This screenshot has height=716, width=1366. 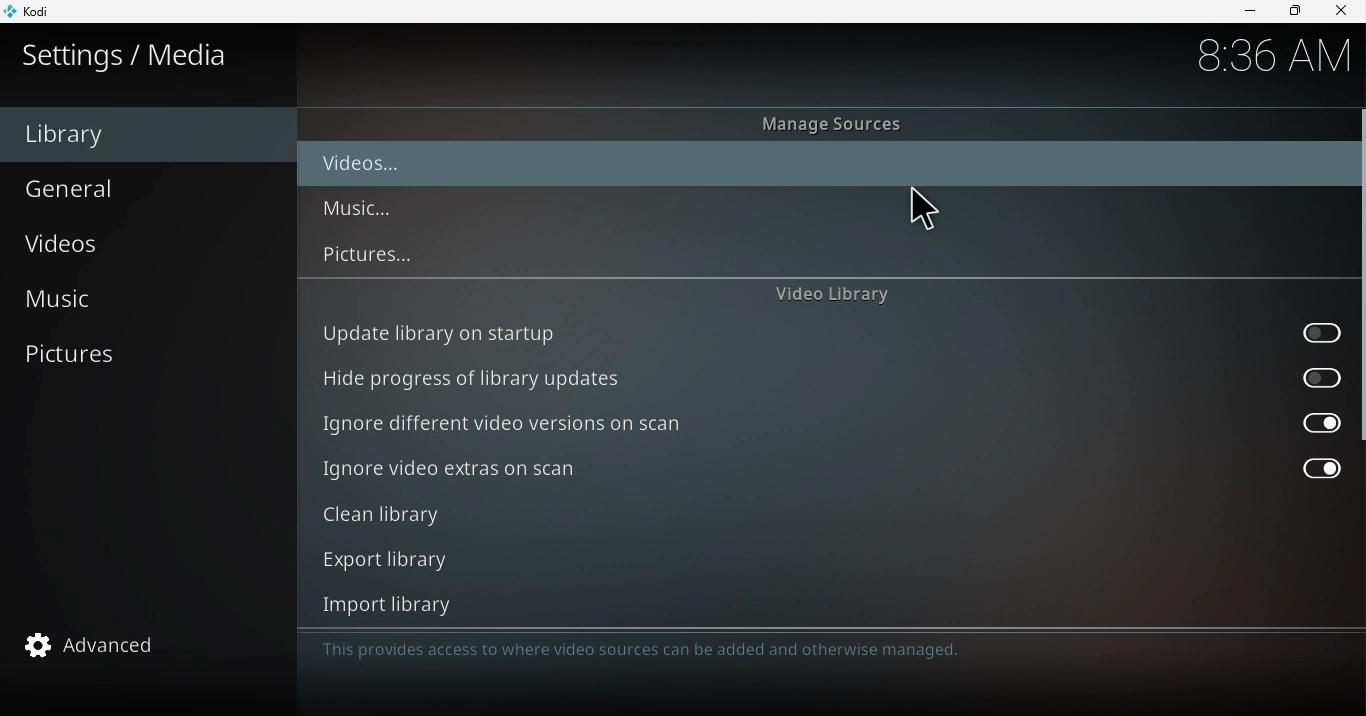 I want to click on Hide progress of library updates, so click(x=834, y=376).